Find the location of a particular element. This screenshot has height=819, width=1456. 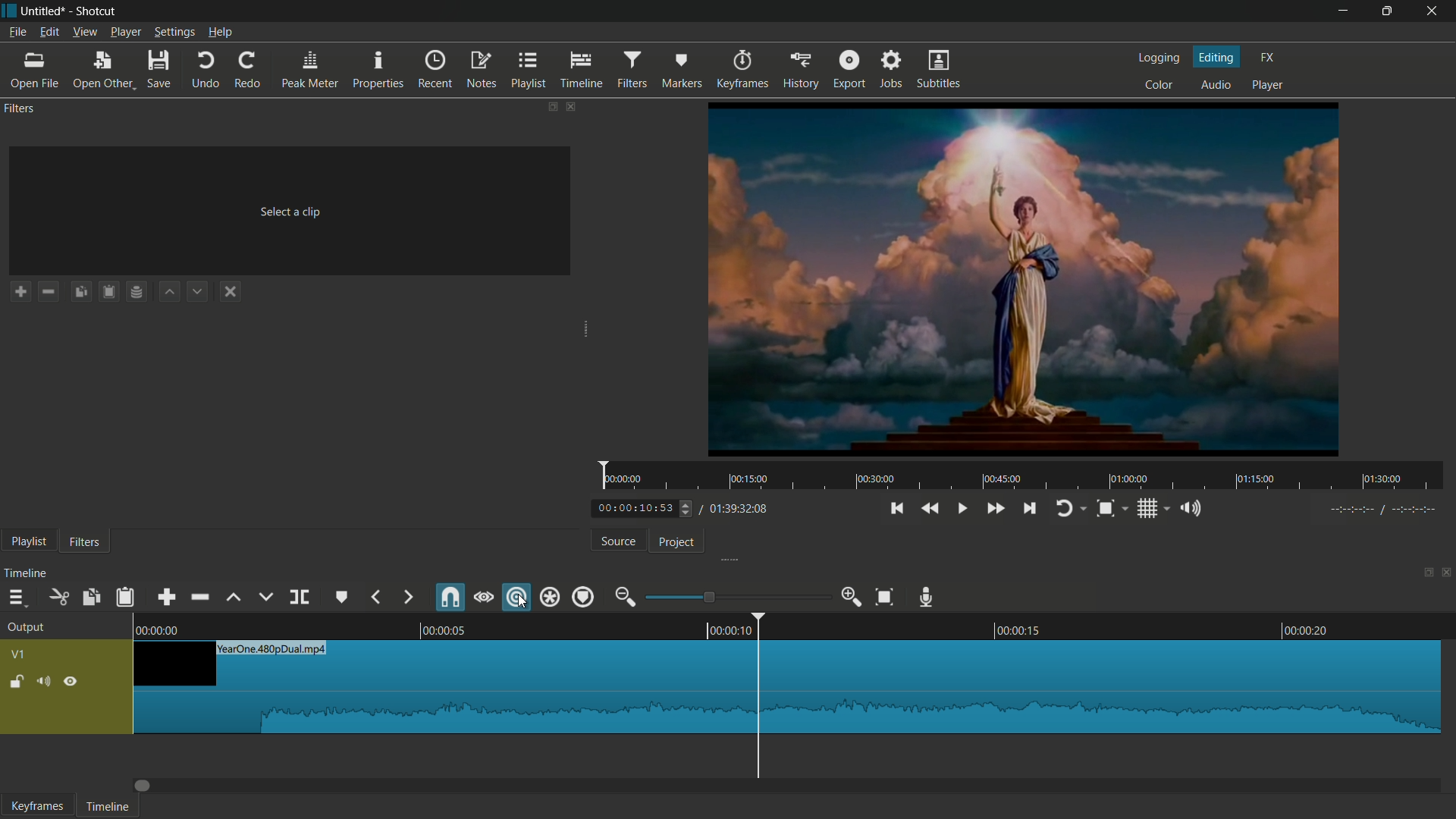

quickly play forward is located at coordinates (997, 509).